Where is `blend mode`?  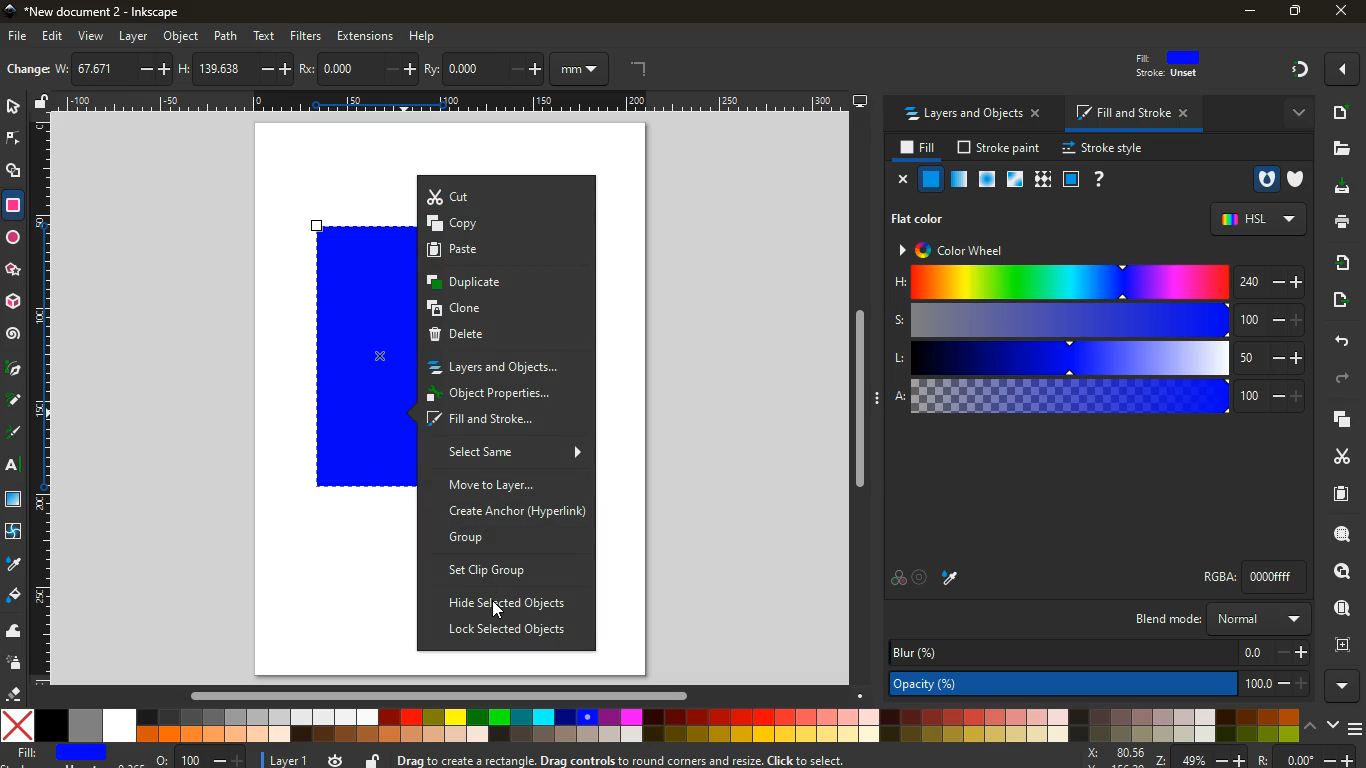 blend mode is located at coordinates (1221, 619).